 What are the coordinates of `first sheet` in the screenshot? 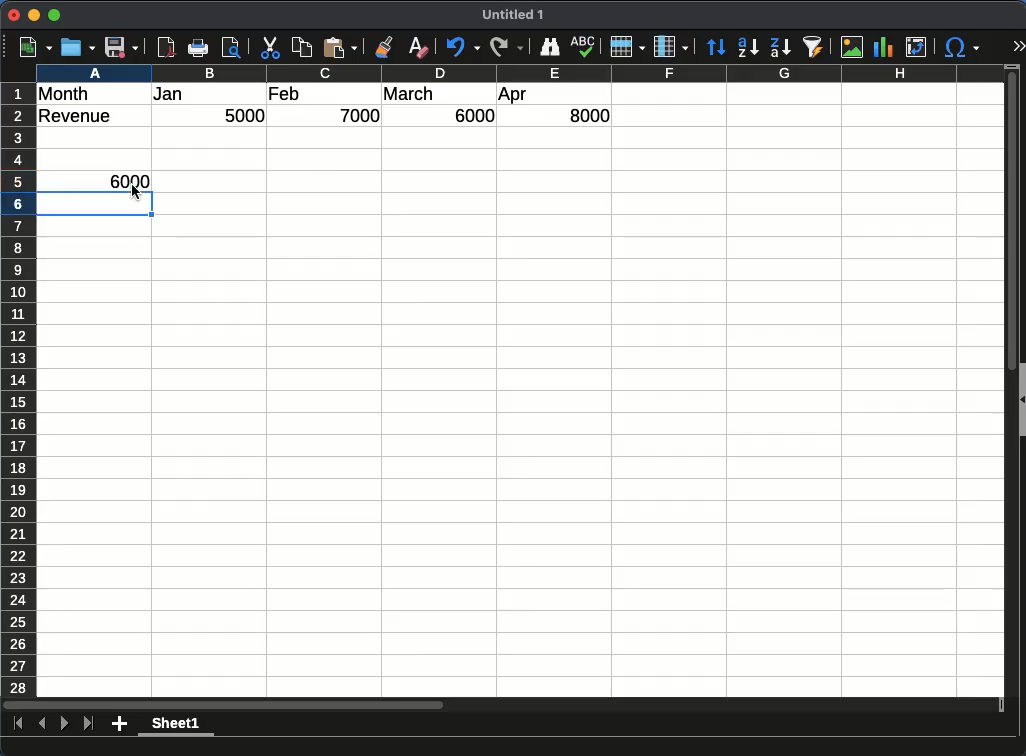 It's located at (19, 723).